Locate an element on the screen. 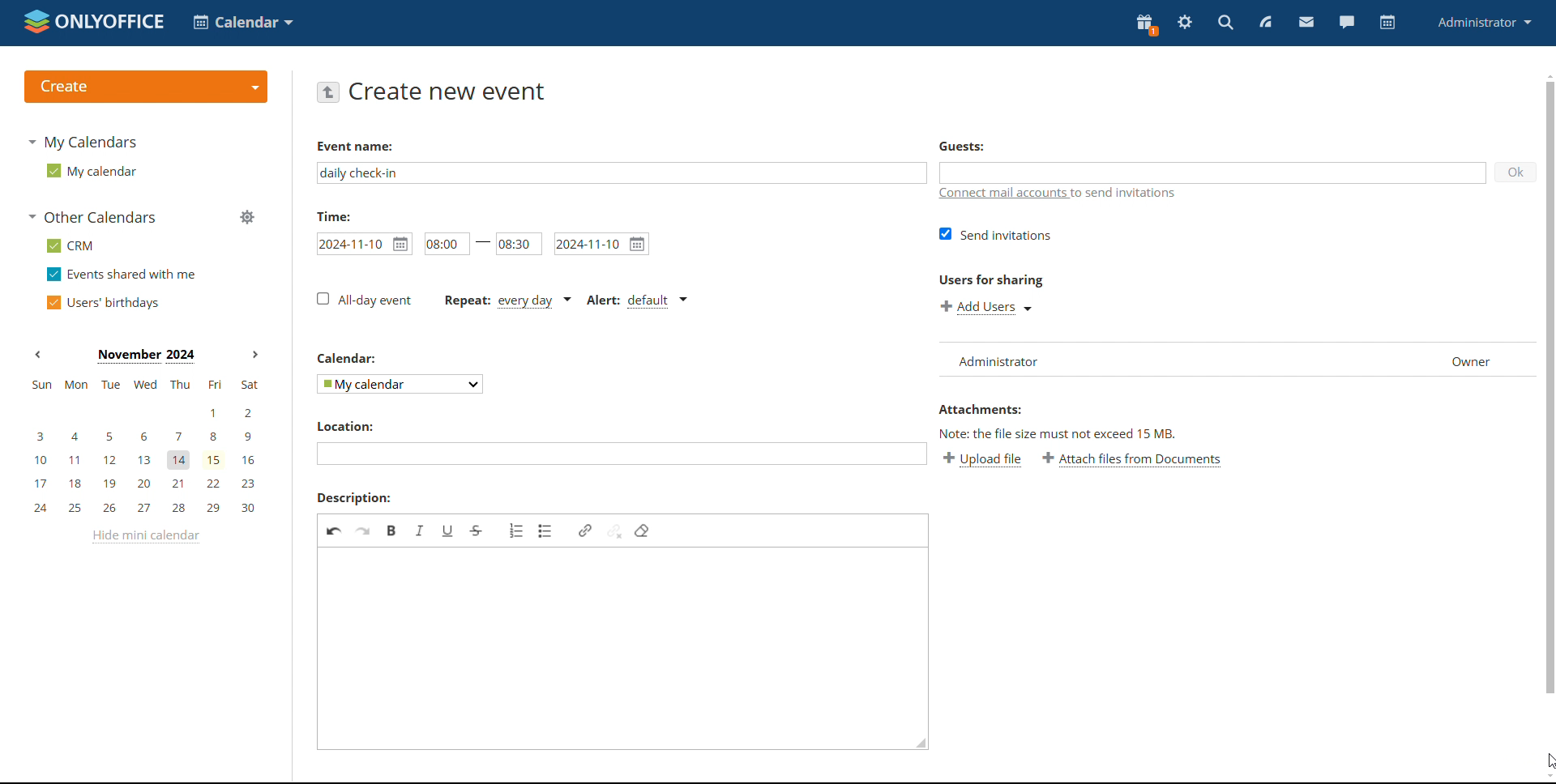  description: is located at coordinates (354, 497).